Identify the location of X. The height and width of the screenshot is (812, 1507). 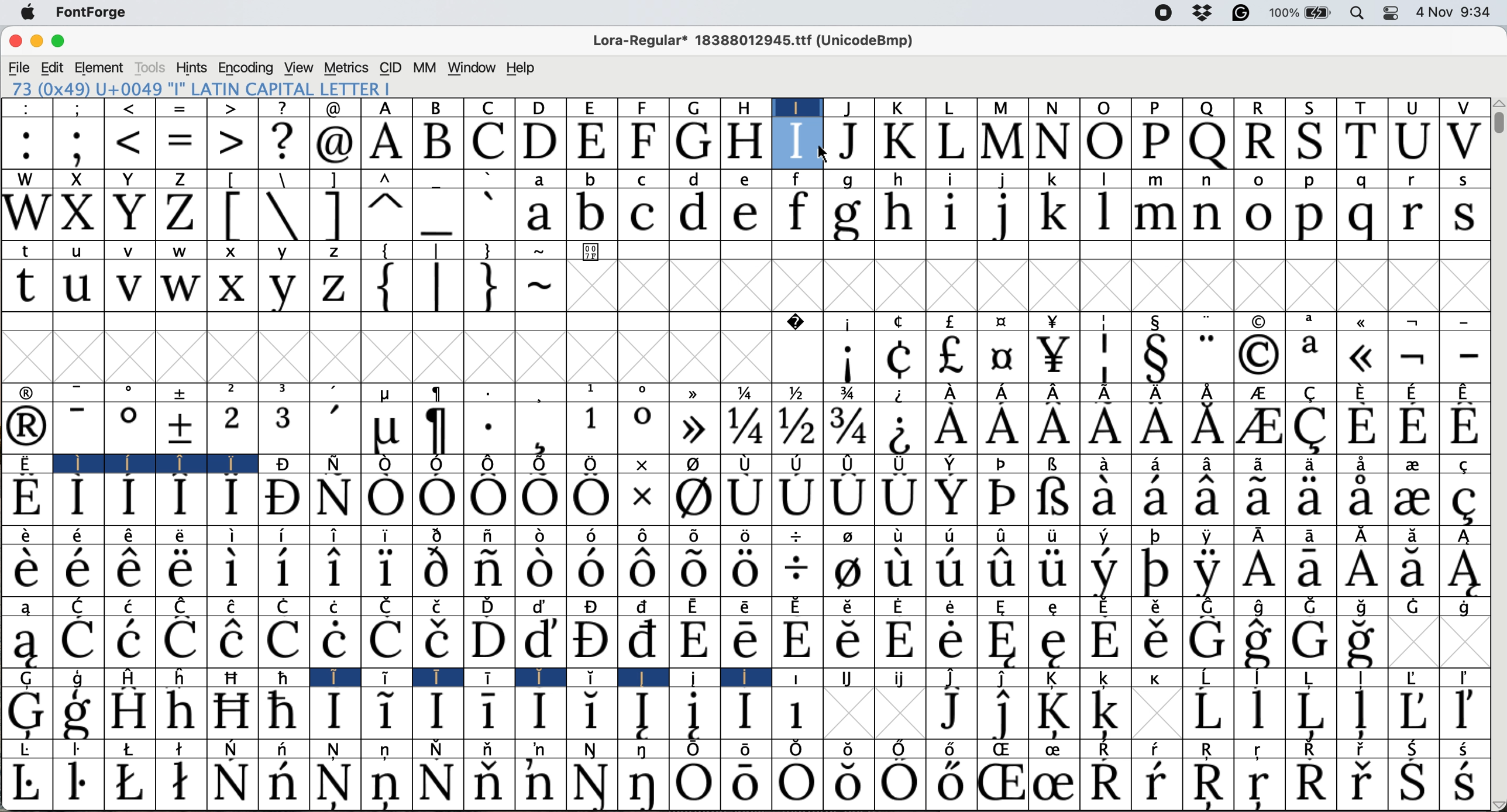
(77, 179).